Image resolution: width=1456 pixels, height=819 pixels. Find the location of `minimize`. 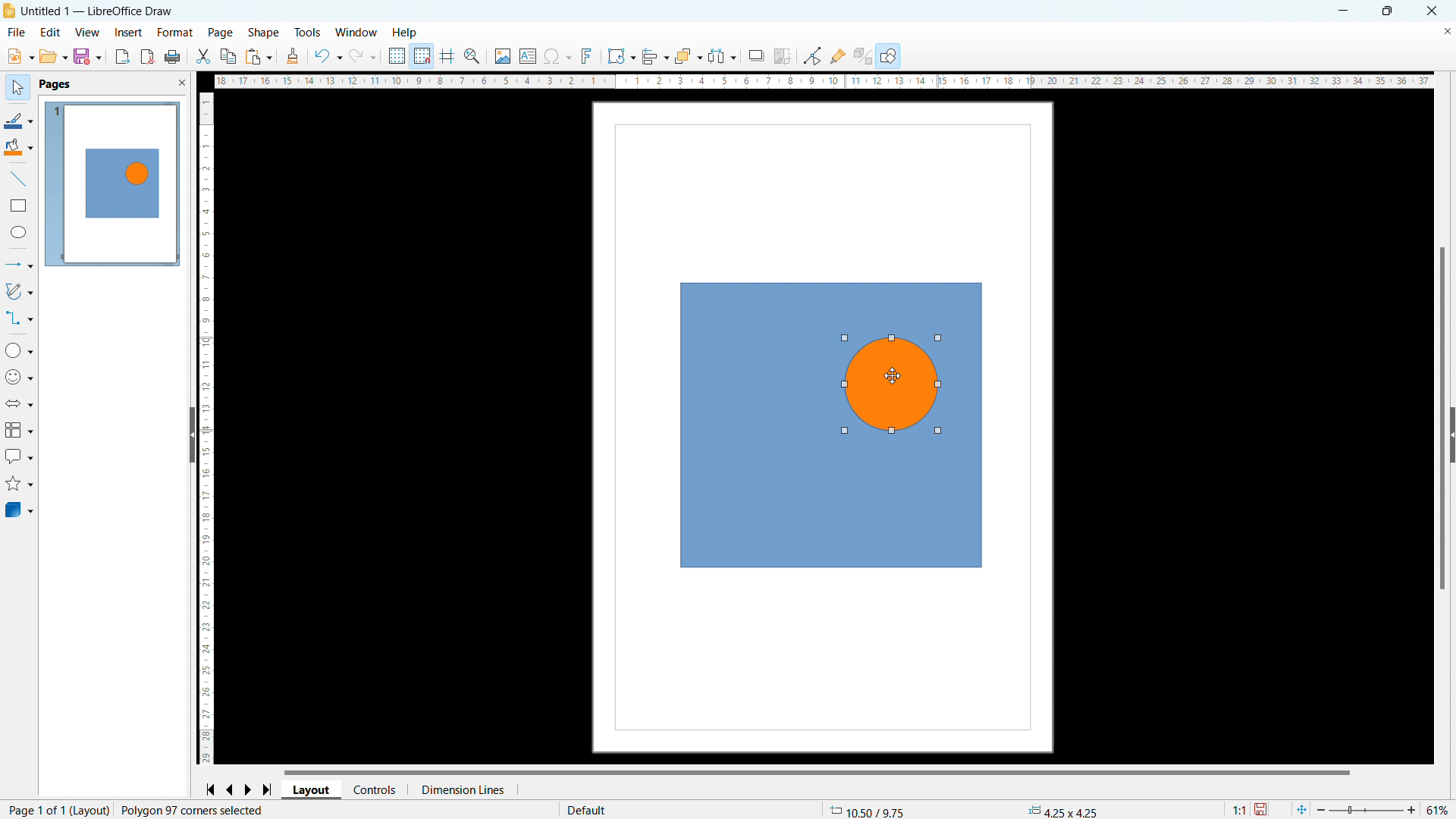

minimize is located at coordinates (1346, 11).